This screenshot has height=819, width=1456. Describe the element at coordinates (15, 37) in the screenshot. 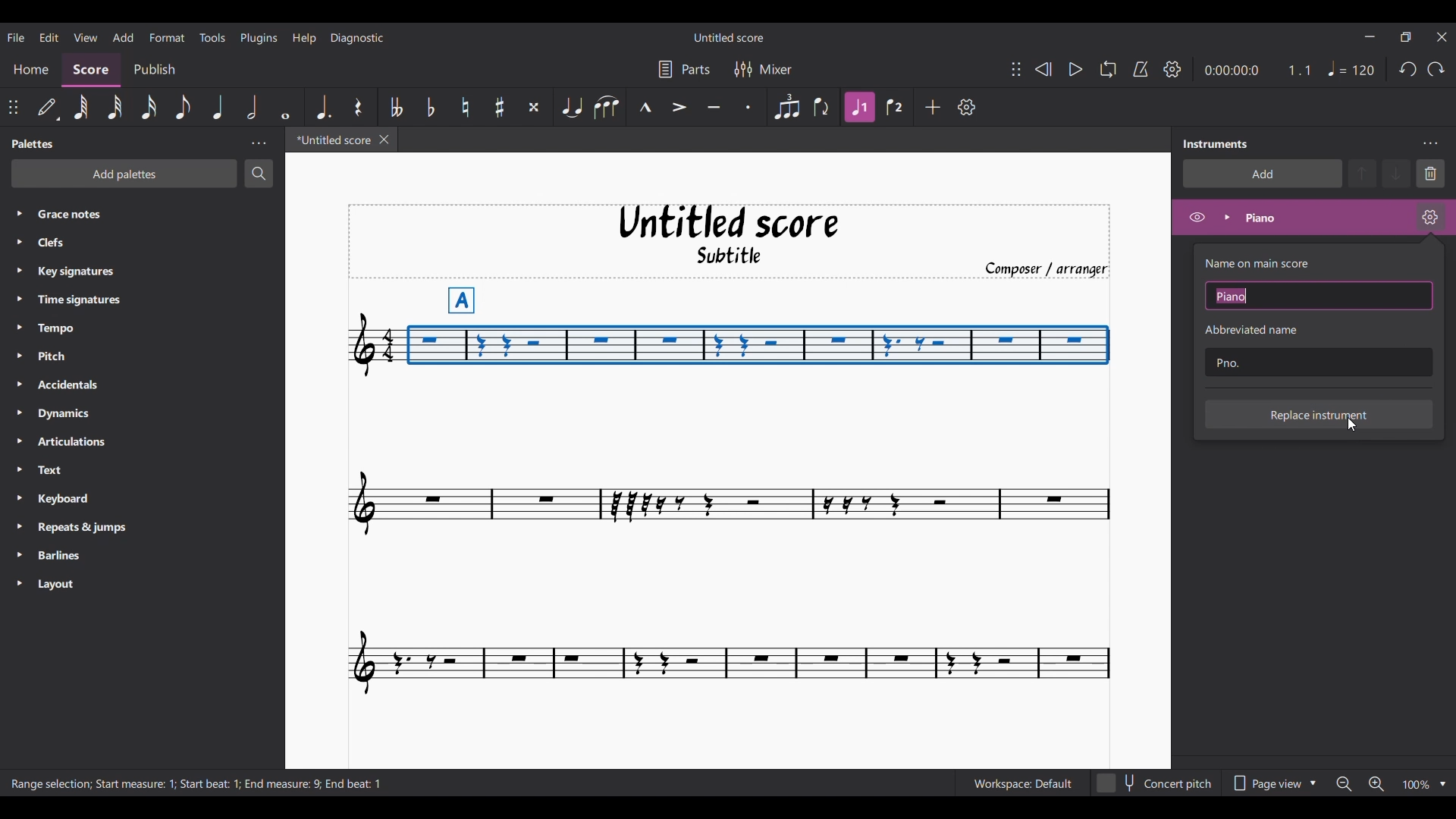

I see `File menu` at that location.